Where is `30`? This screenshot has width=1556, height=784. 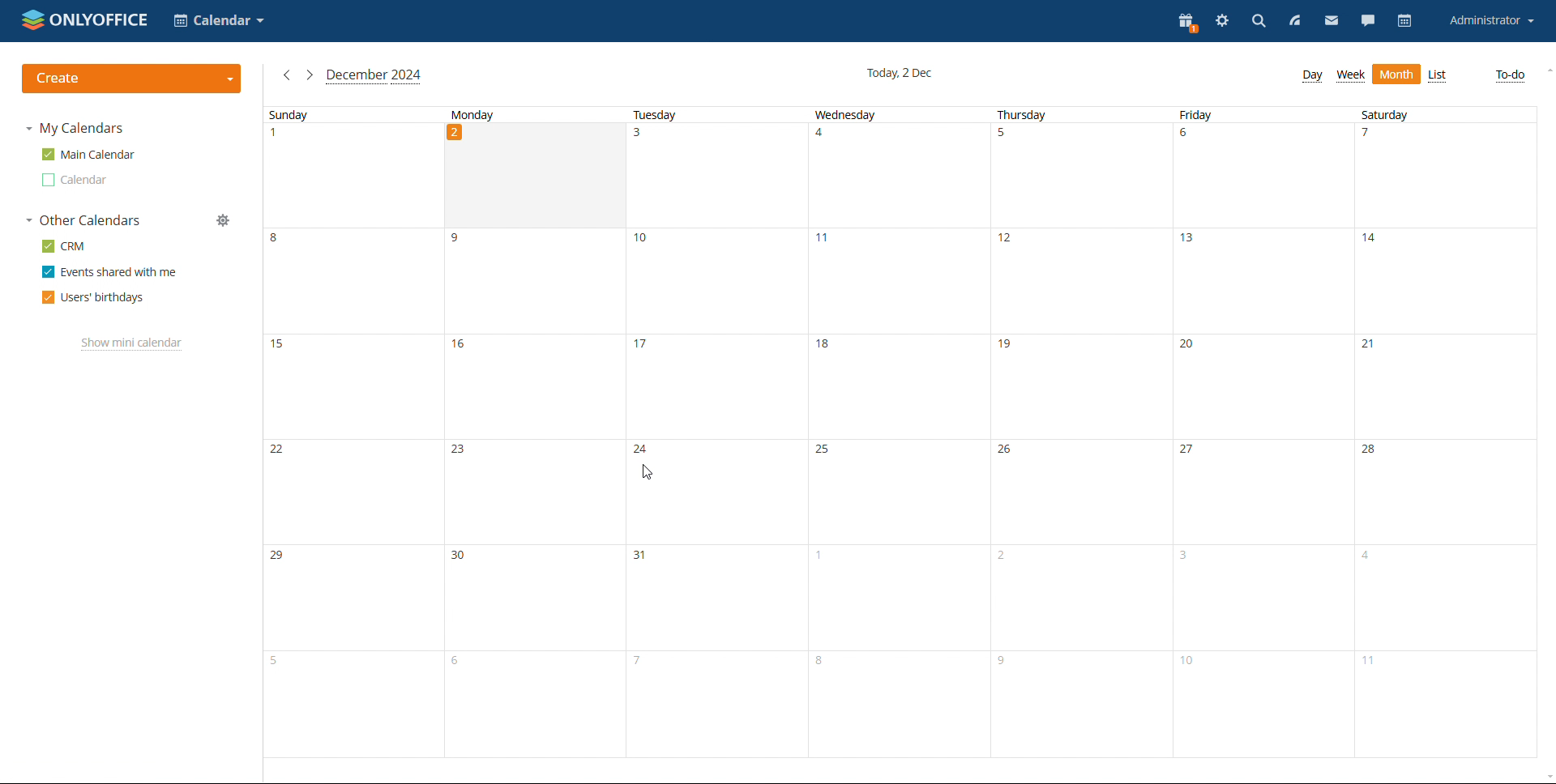 30 is located at coordinates (460, 556).